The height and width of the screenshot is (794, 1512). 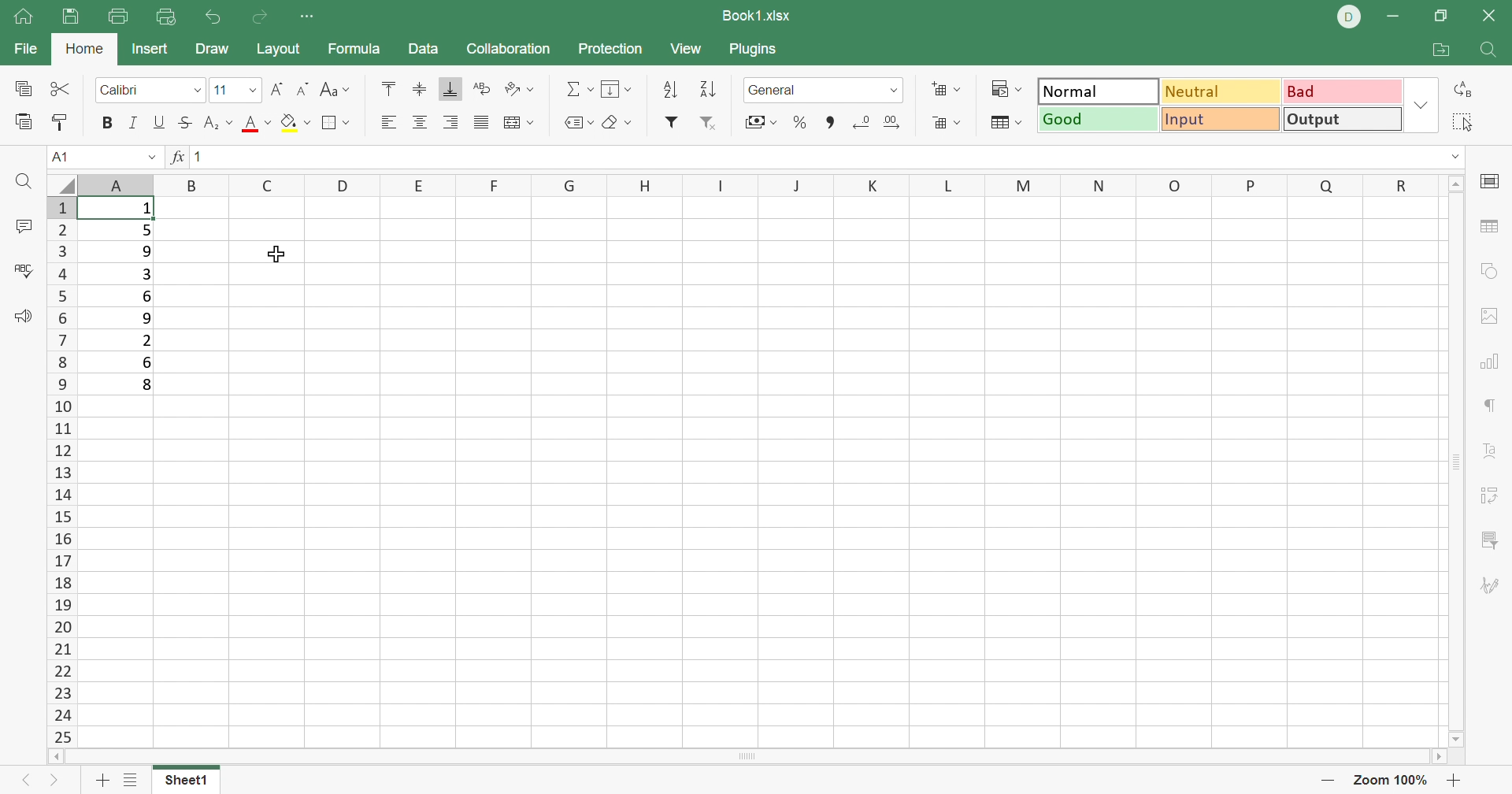 What do you see at coordinates (521, 86) in the screenshot?
I see `Orientation` at bounding box center [521, 86].